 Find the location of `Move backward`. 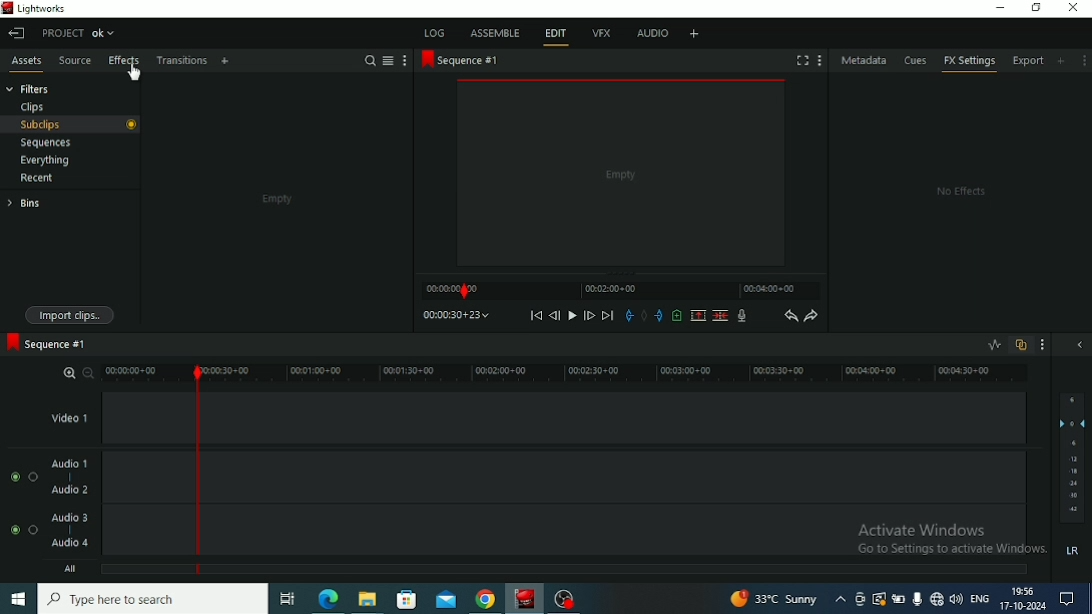

Move backward is located at coordinates (536, 315).